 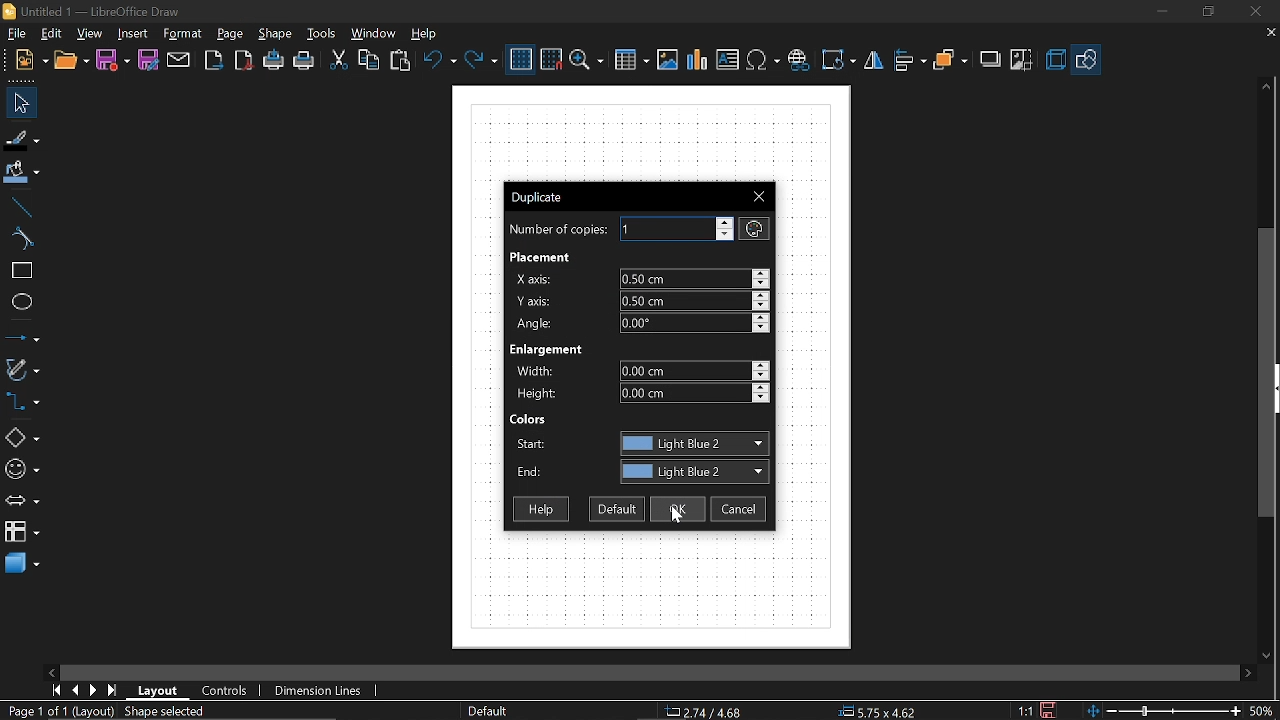 What do you see at coordinates (1161, 712) in the screenshot?
I see `Change Zoom` at bounding box center [1161, 712].